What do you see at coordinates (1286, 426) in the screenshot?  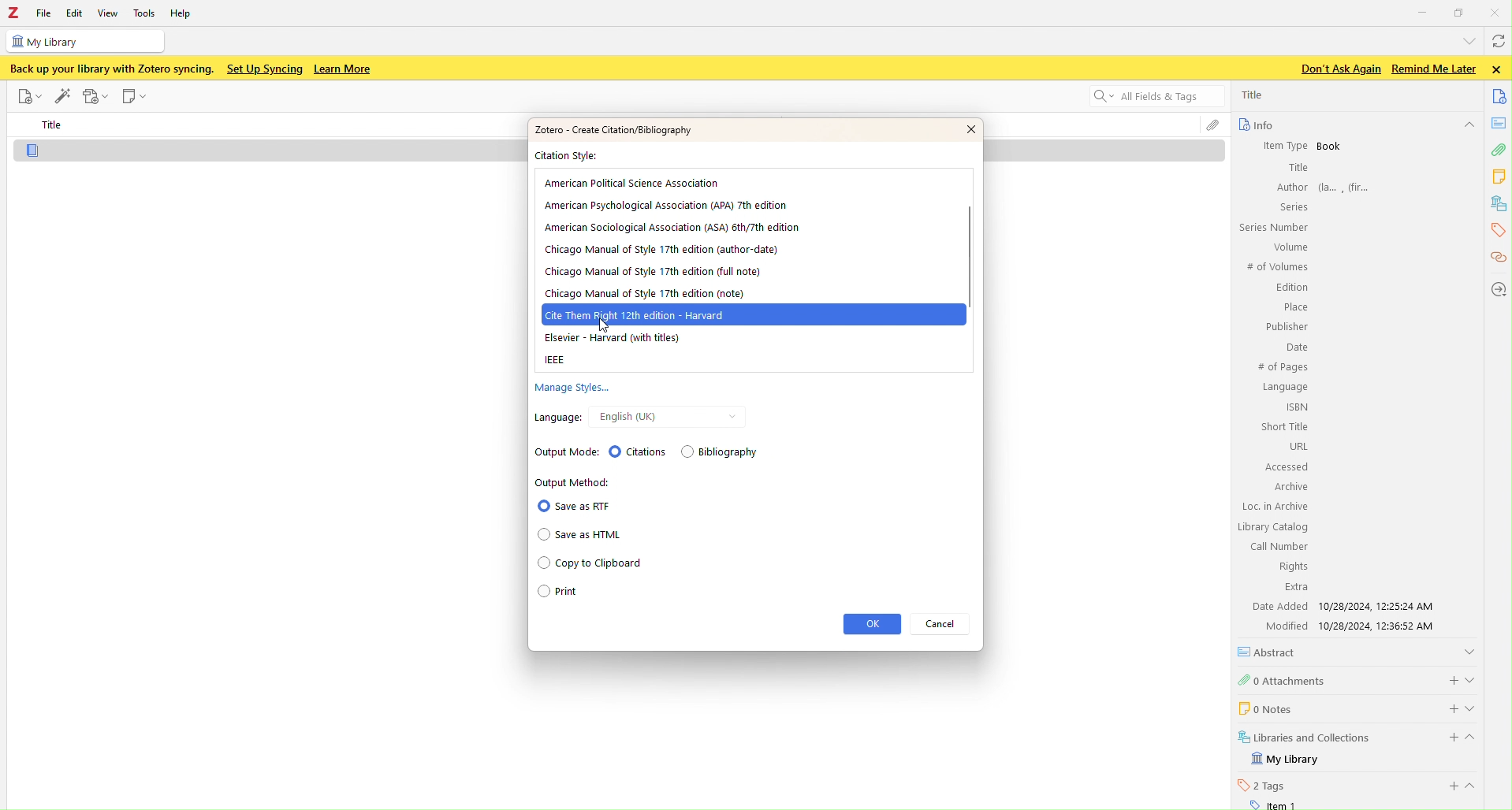 I see `Short Title` at bounding box center [1286, 426].